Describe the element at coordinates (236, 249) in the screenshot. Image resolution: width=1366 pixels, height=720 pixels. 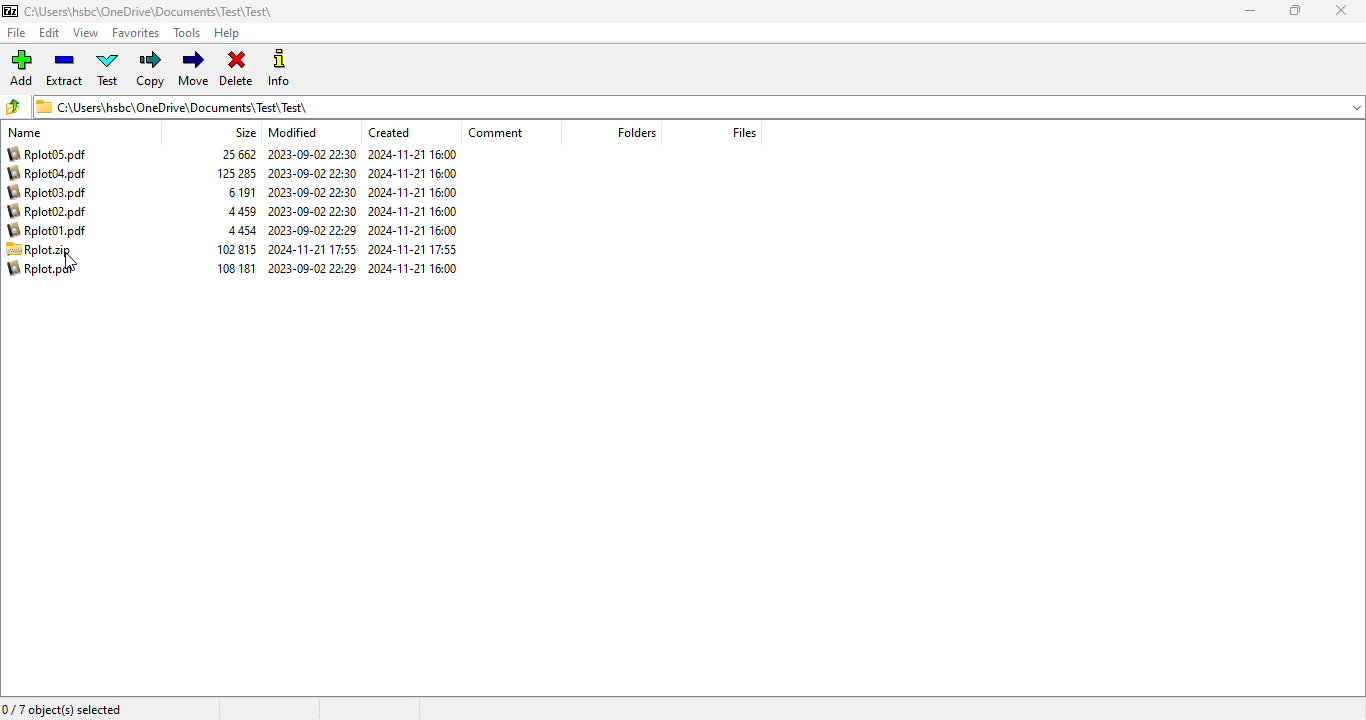
I see `102815` at that location.